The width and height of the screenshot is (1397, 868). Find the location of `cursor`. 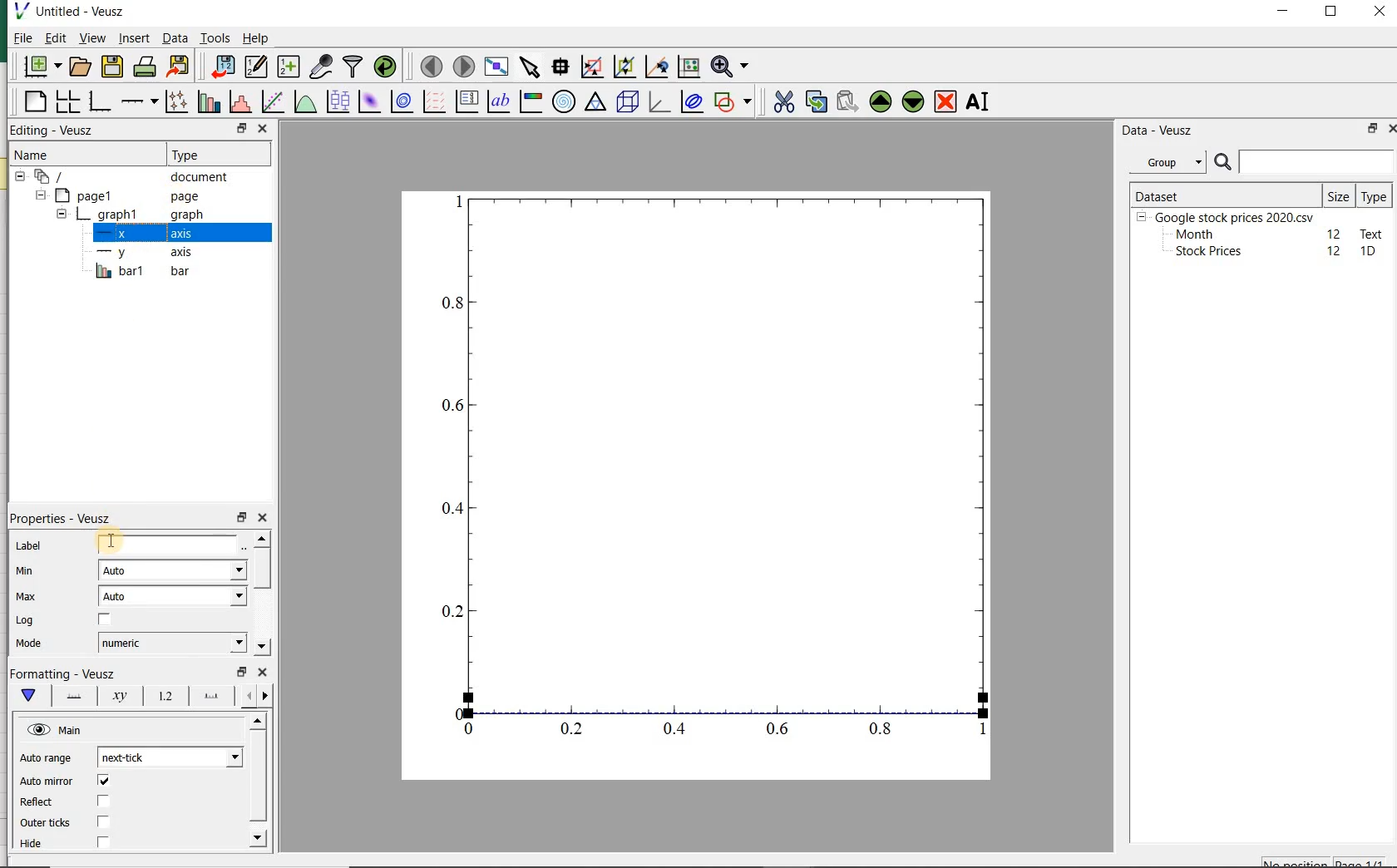

cursor is located at coordinates (110, 542).